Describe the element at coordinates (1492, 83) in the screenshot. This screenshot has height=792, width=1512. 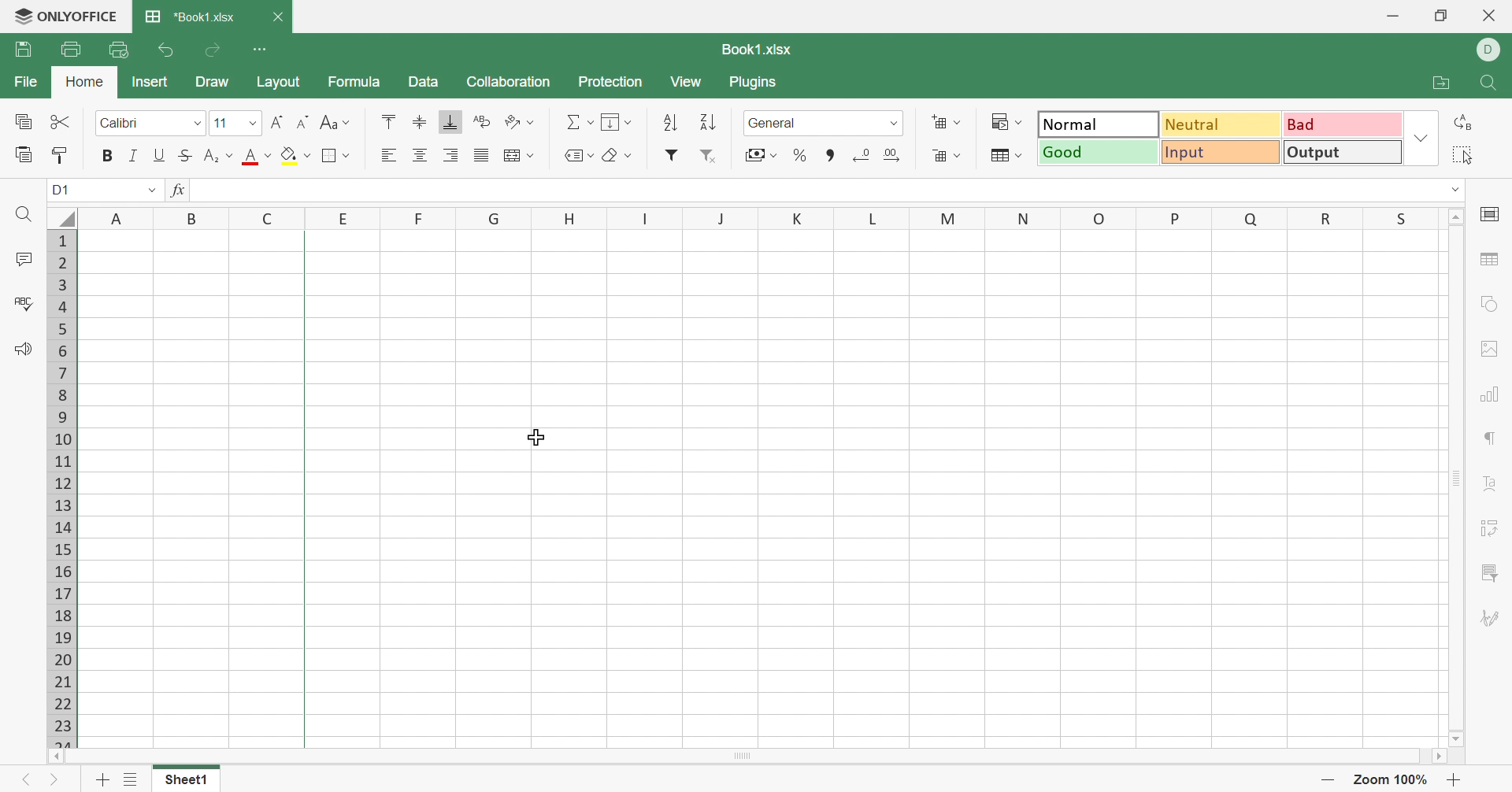
I see `Find` at that location.